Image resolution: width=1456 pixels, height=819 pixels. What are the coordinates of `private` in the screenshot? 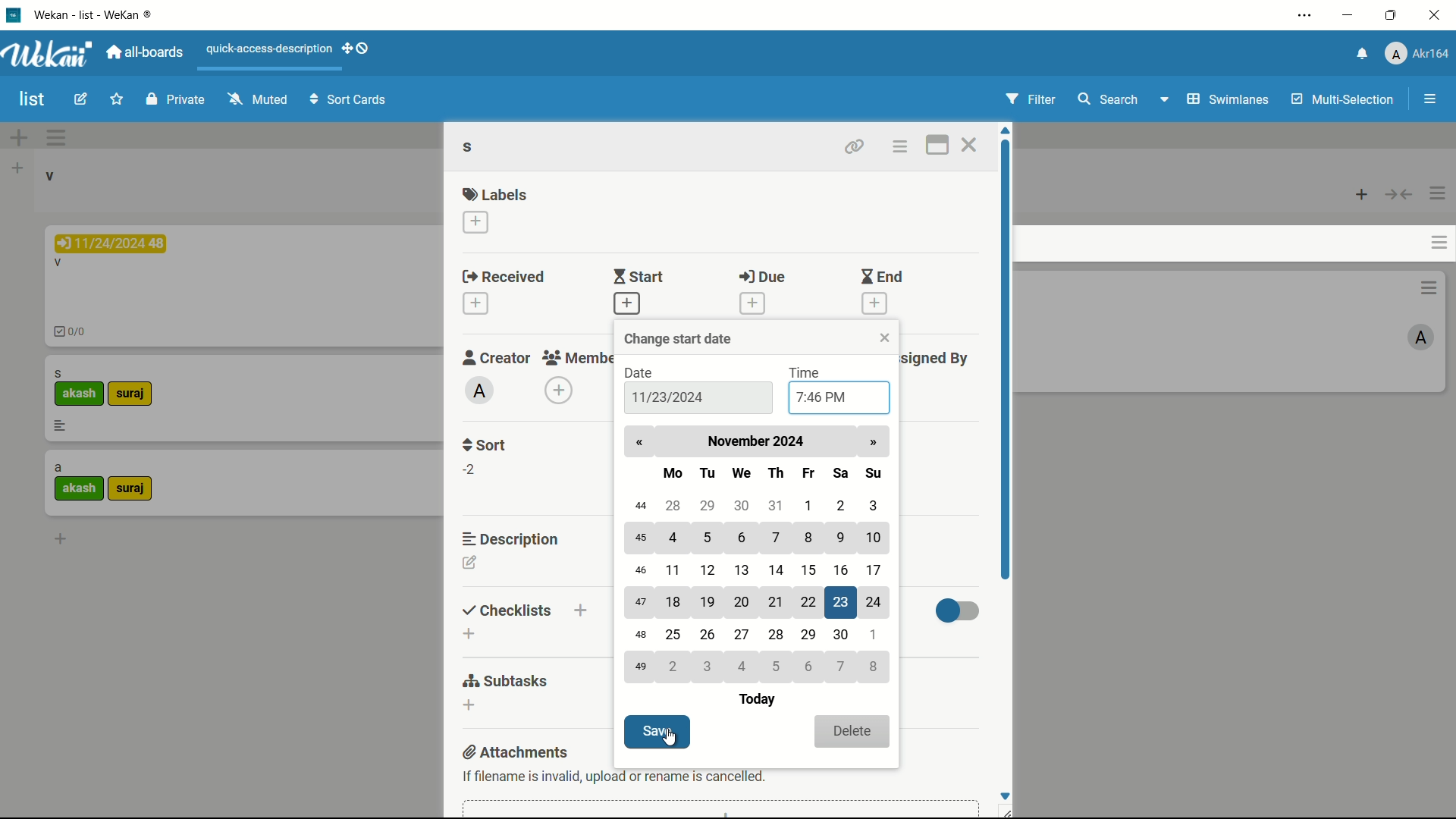 It's located at (178, 99).